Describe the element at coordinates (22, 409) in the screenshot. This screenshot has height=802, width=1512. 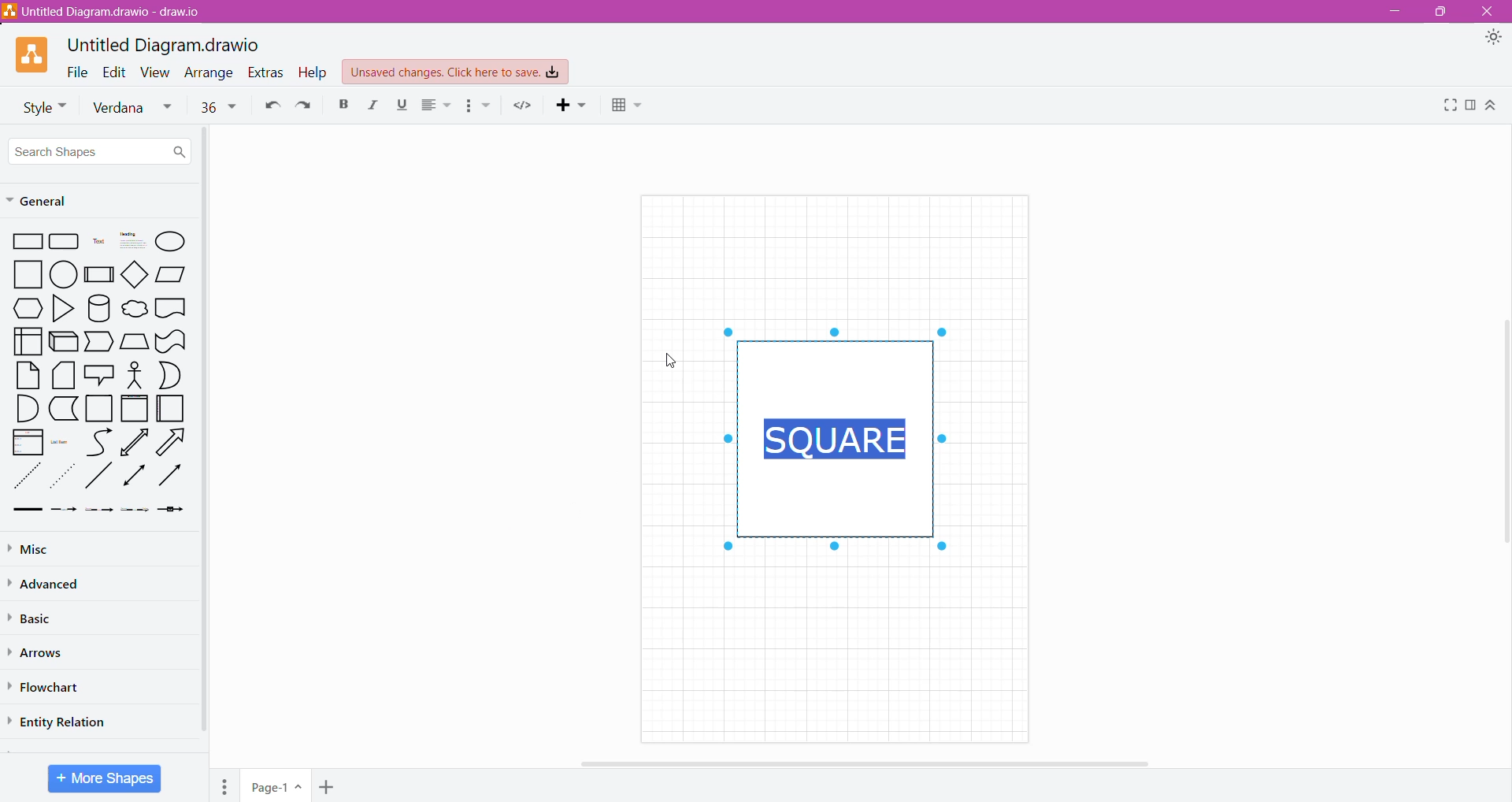
I see `Quarter Circle` at that location.